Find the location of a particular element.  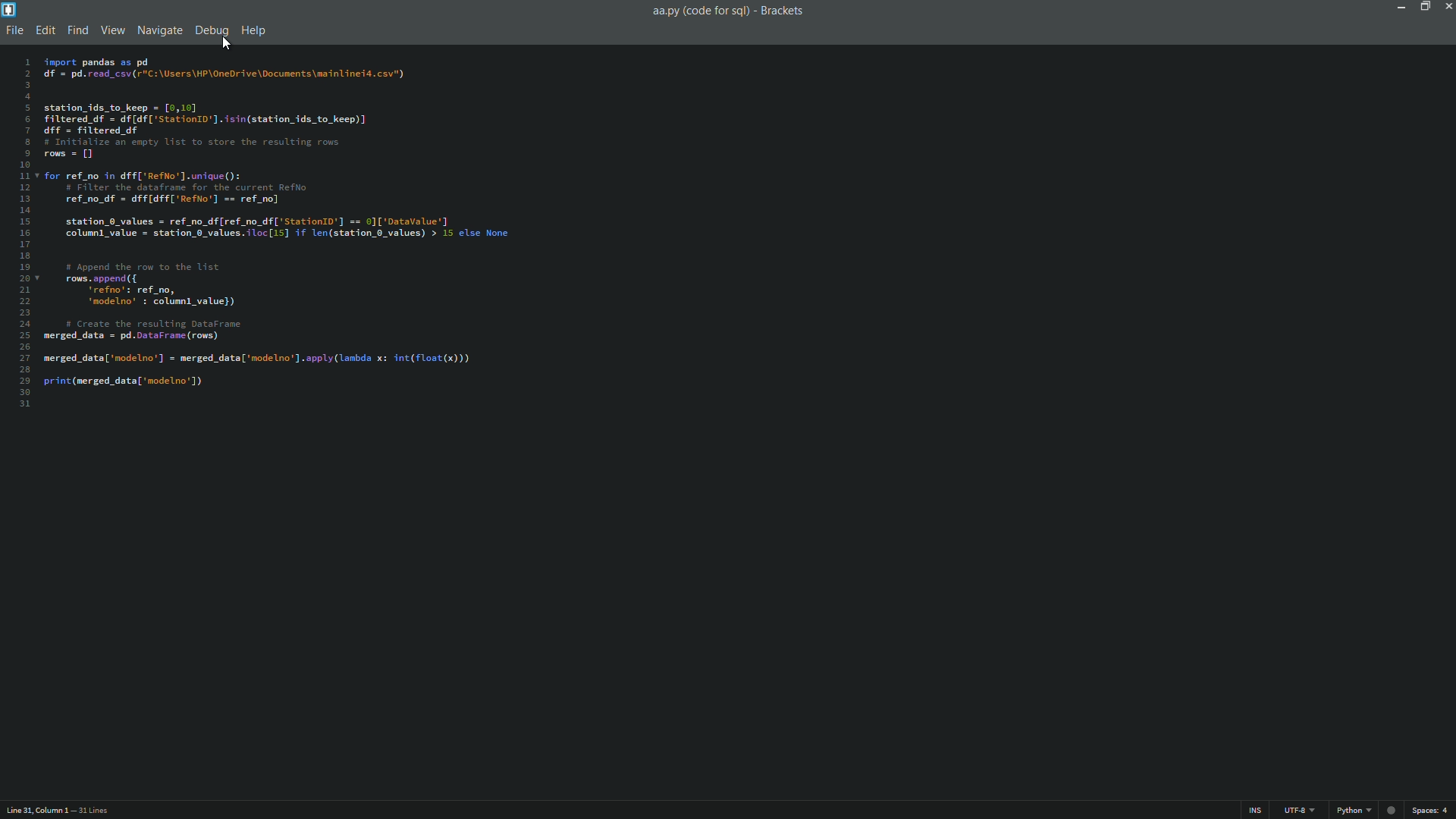

space is located at coordinates (1434, 811).